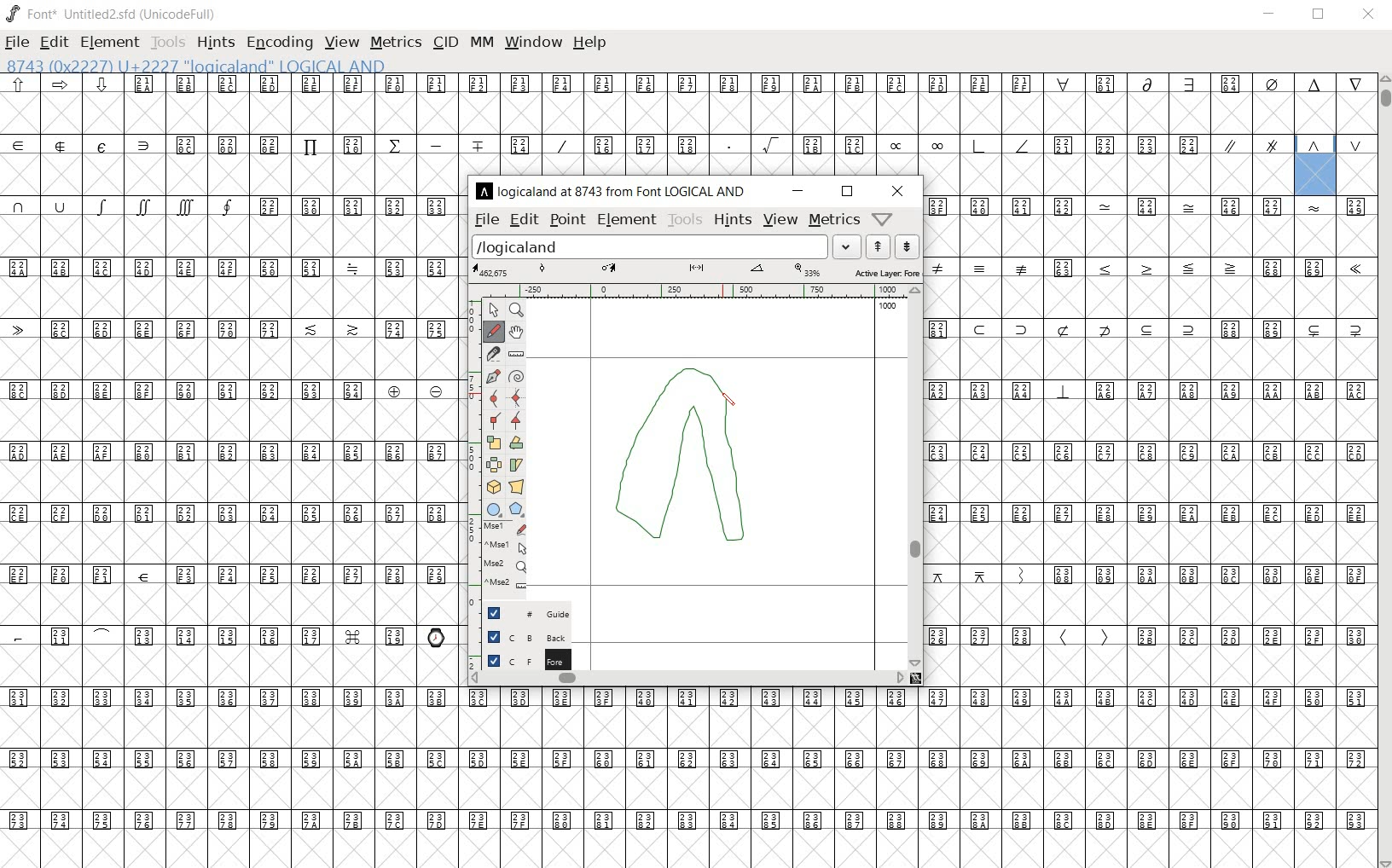  Describe the element at coordinates (684, 219) in the screenshot. I see `tools` at that location.